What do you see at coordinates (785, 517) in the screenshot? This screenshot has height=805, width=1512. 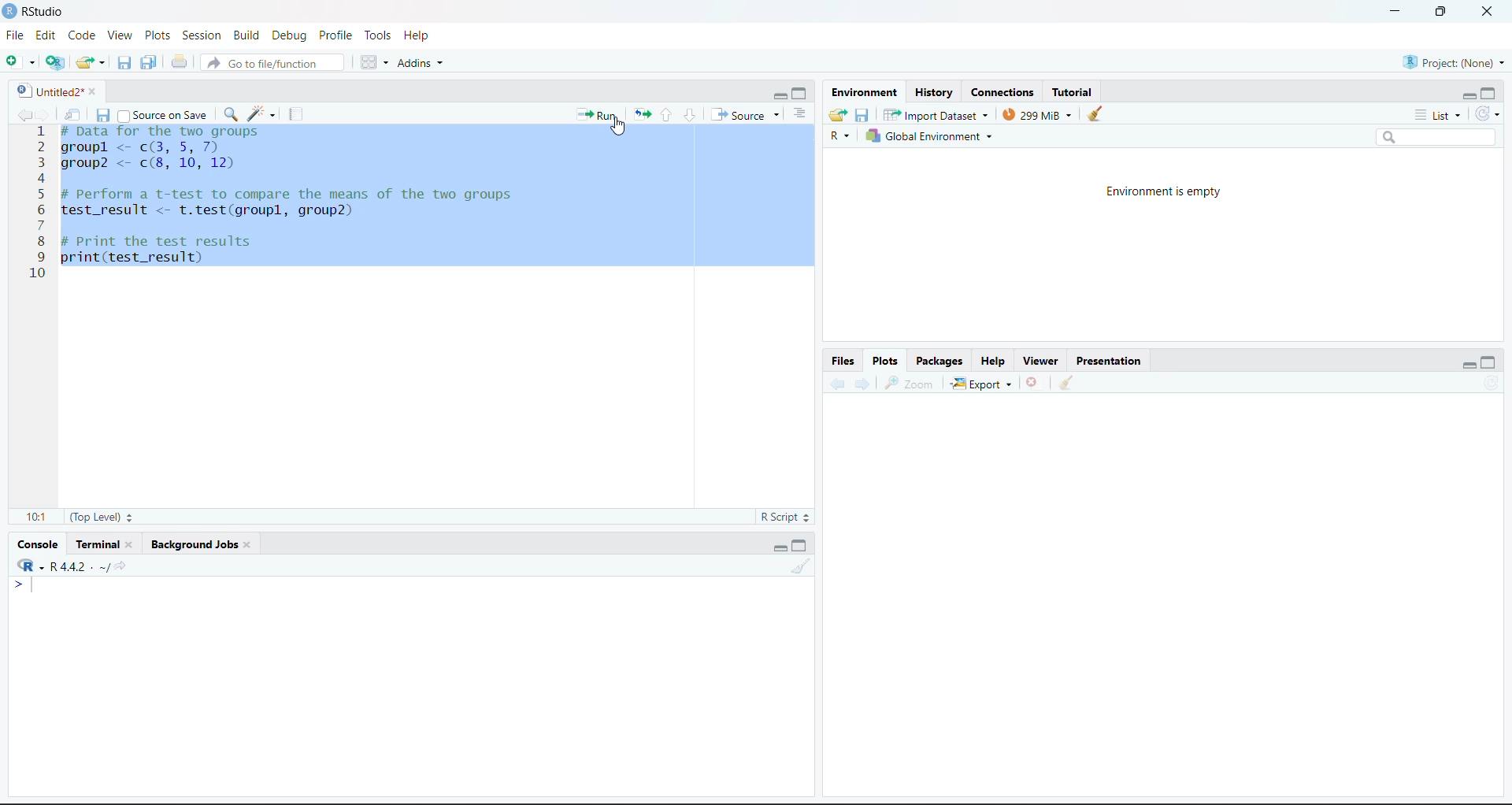 I see `R script` at bounding box center [785, 517].